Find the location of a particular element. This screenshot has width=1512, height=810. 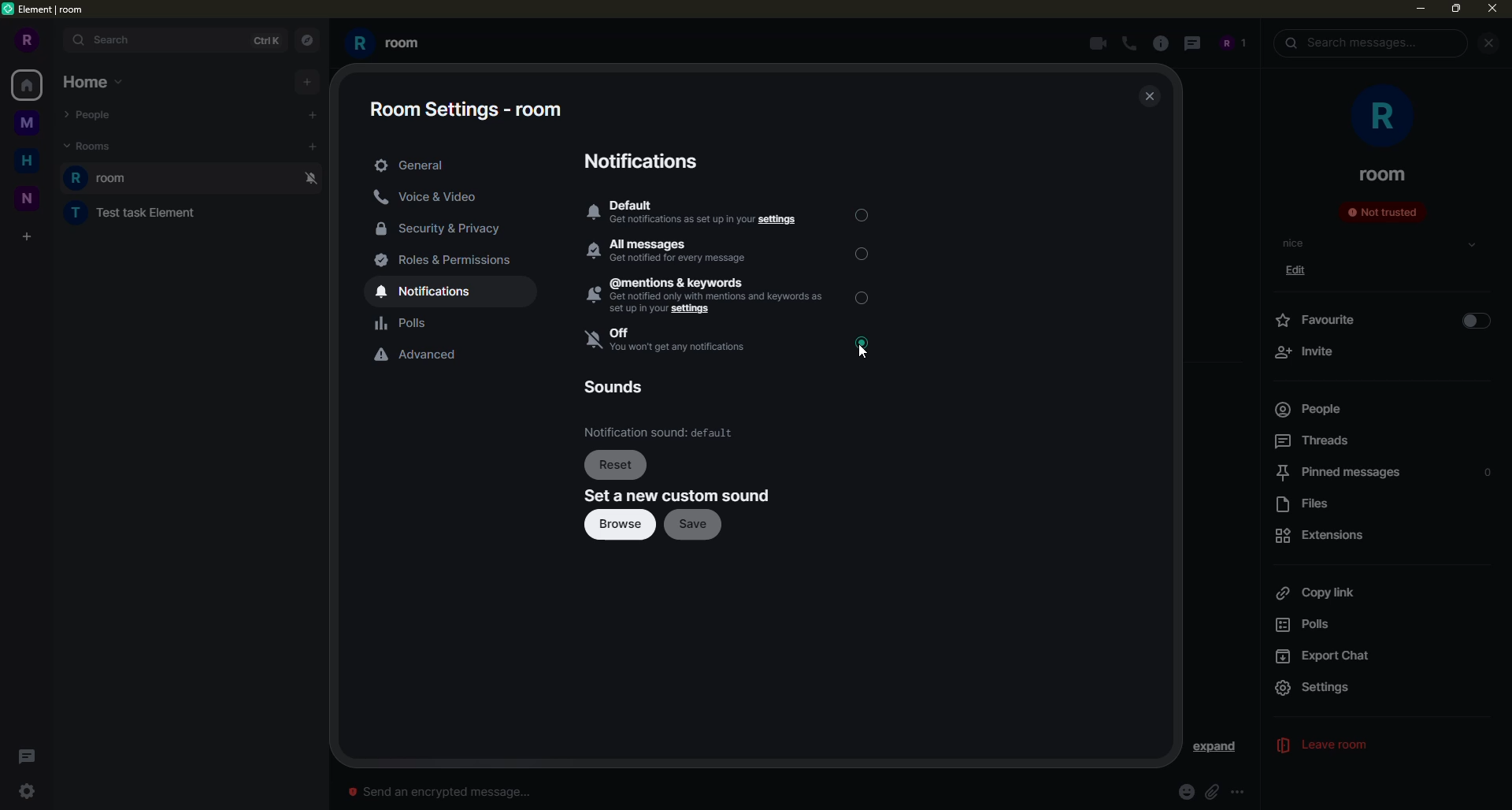

topic is located at coordinates (1295, 243).